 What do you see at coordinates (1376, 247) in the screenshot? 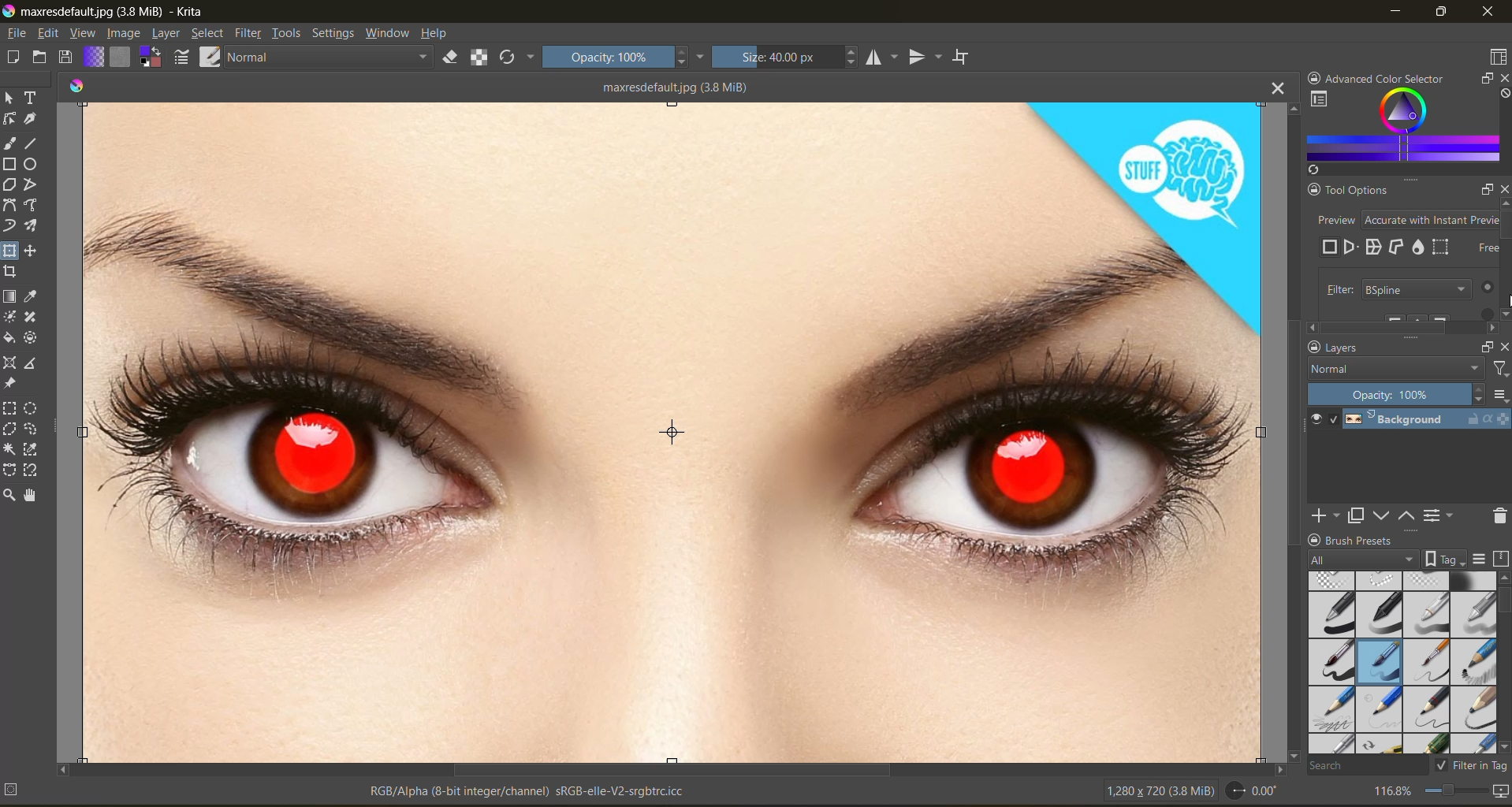
I see `warp` at bounding box center [1376, 247].